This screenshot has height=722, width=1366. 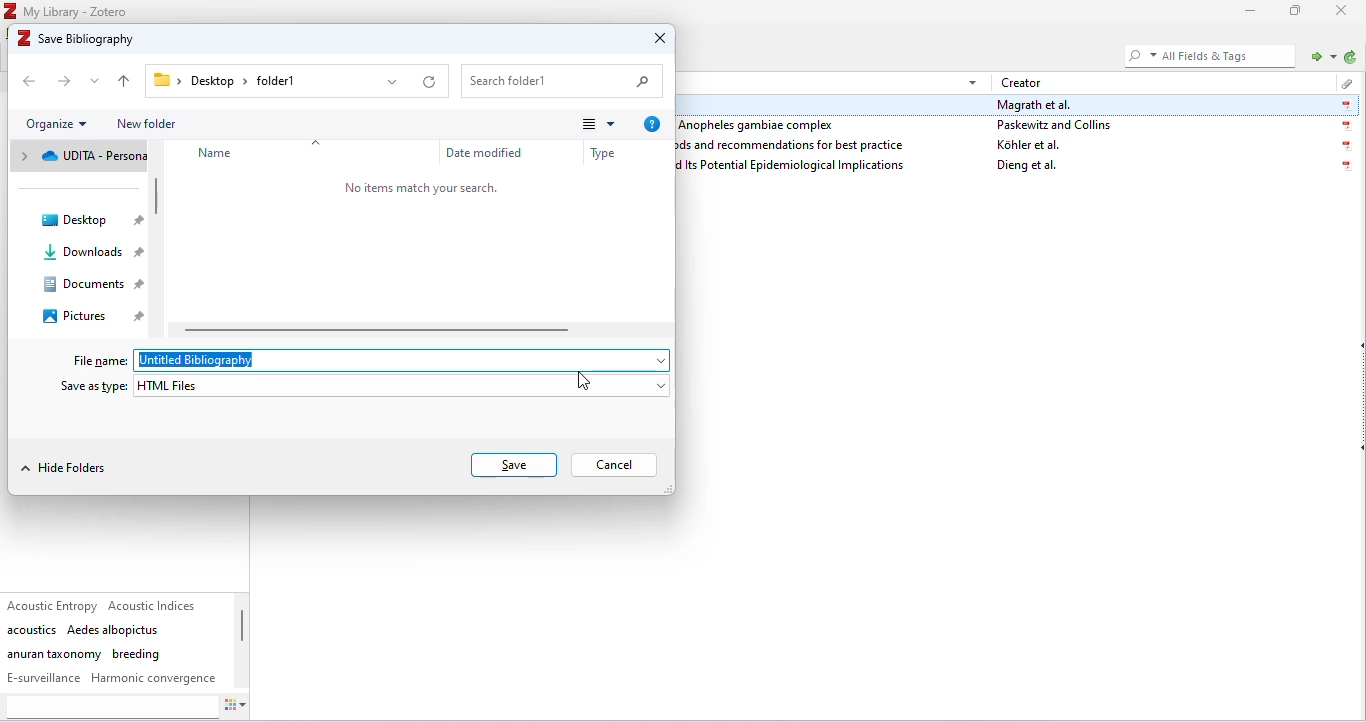 I want to click on Cursor, so click(x=579, y=382).